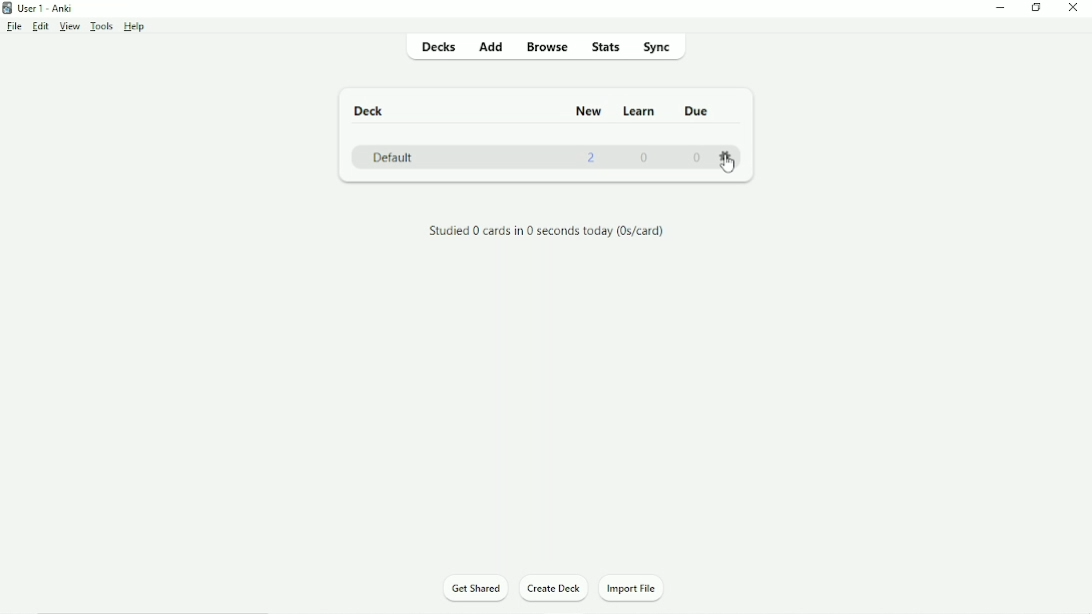  Describe the element at coordinates (546, 230) in the screenshot. I see `Studied 0 cards in 0 seconds today (0s/card)` at that location.